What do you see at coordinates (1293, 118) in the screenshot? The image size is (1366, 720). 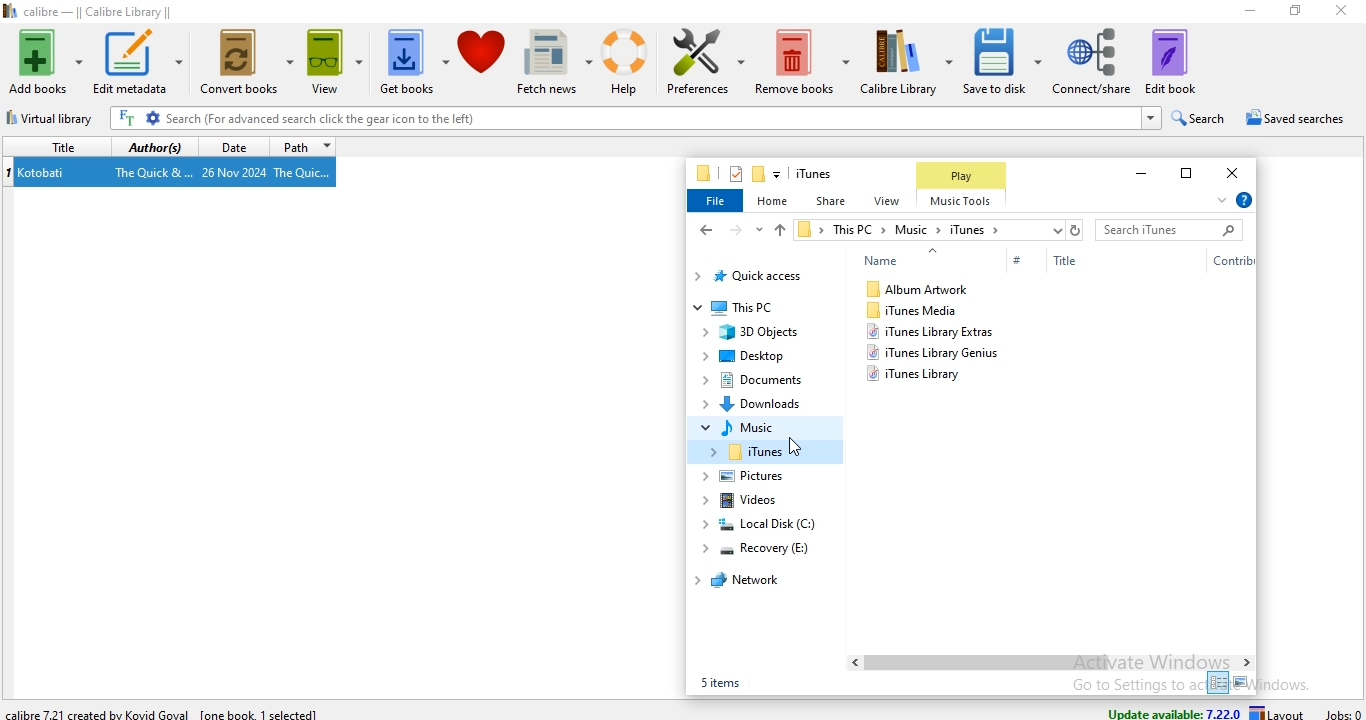 I see ` saved searches` at bounding box center [1293, 118].